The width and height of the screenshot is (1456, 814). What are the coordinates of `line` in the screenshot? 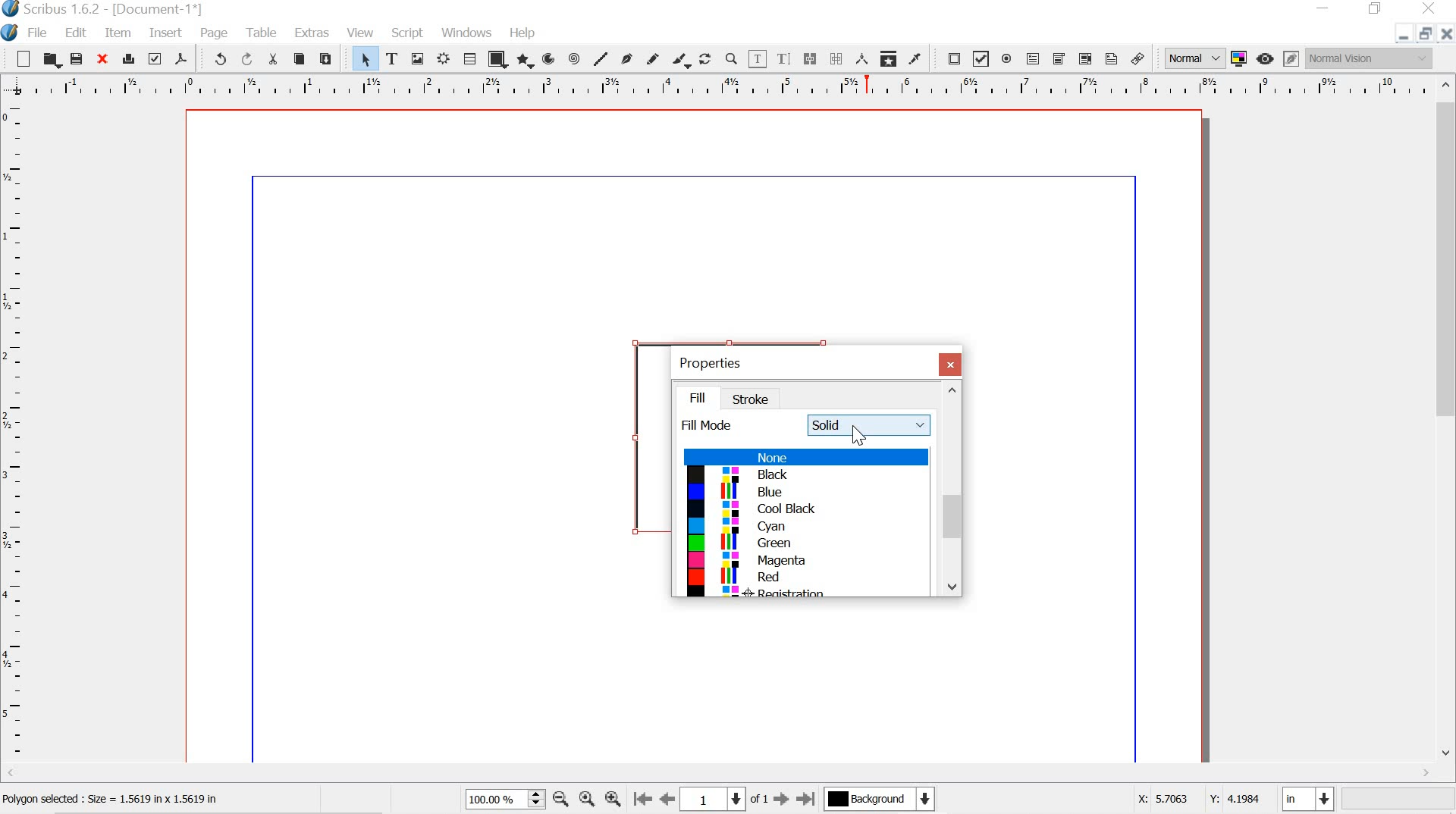 It's located at (601, 58).